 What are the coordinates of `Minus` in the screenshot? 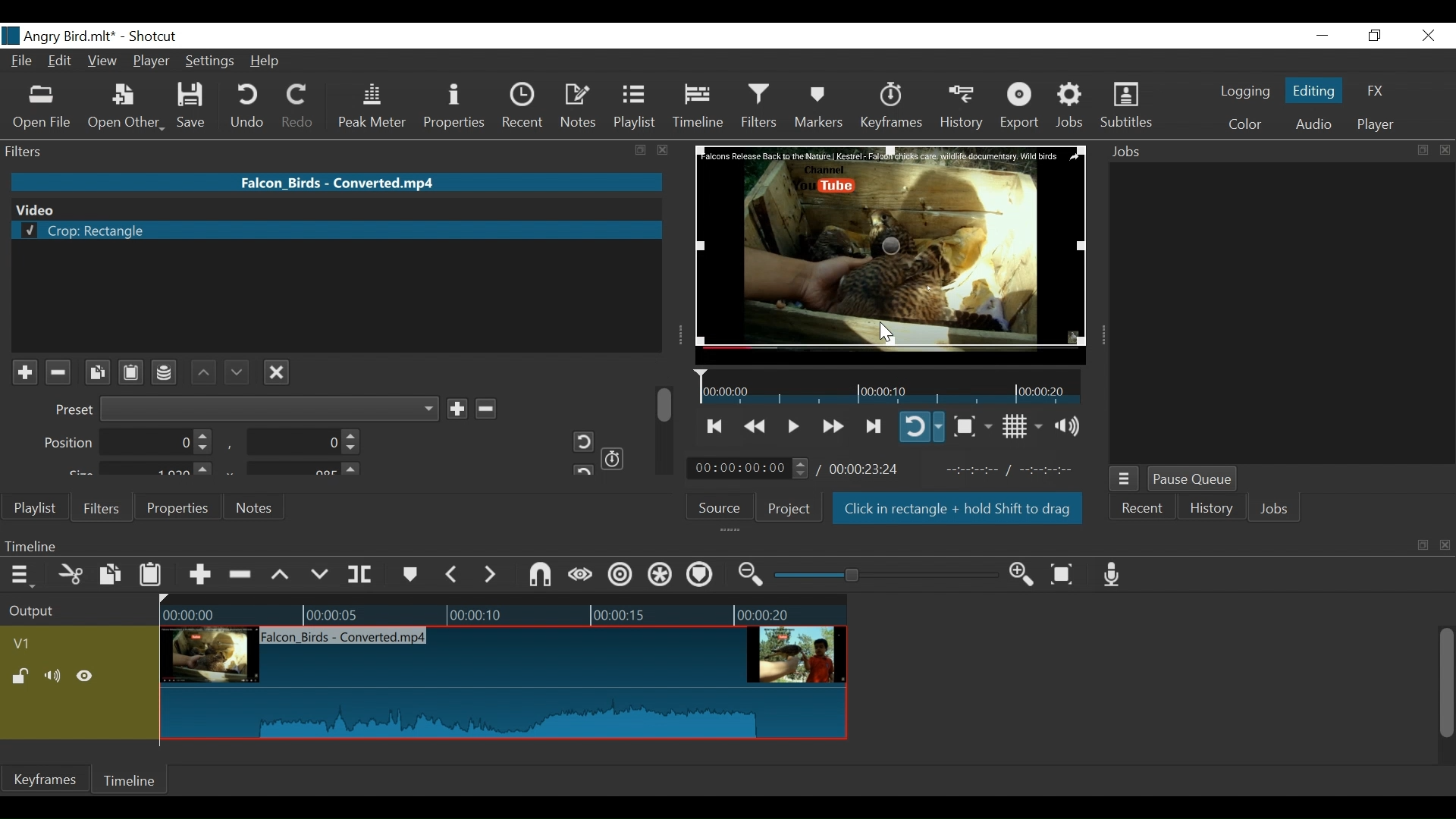 It's located at (57, 372).